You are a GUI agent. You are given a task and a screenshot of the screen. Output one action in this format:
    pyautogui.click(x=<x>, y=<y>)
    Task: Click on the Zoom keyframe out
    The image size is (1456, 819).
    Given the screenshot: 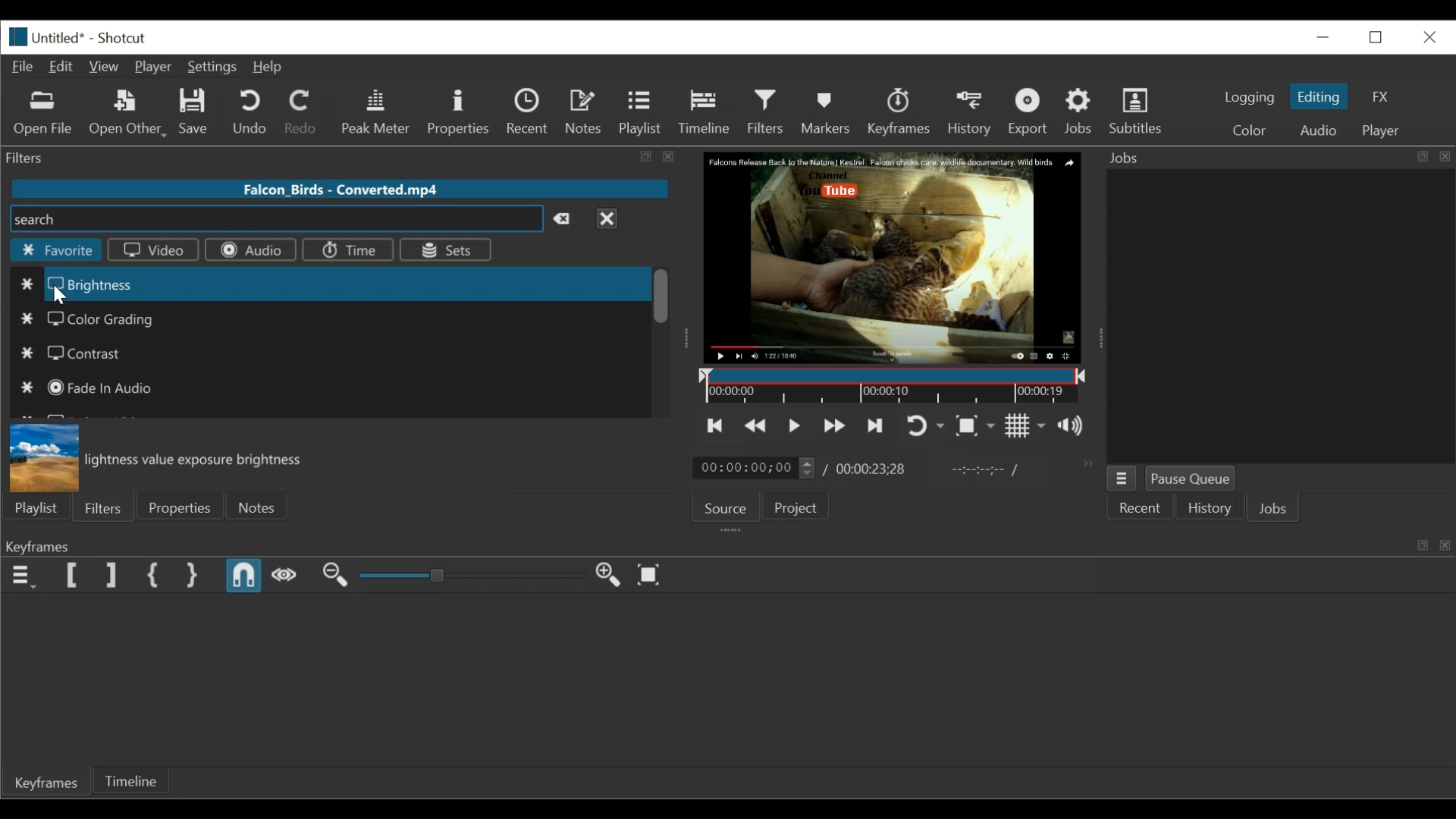 What is the action you would take?
    pyautogui.click(x=335, y=576)
    